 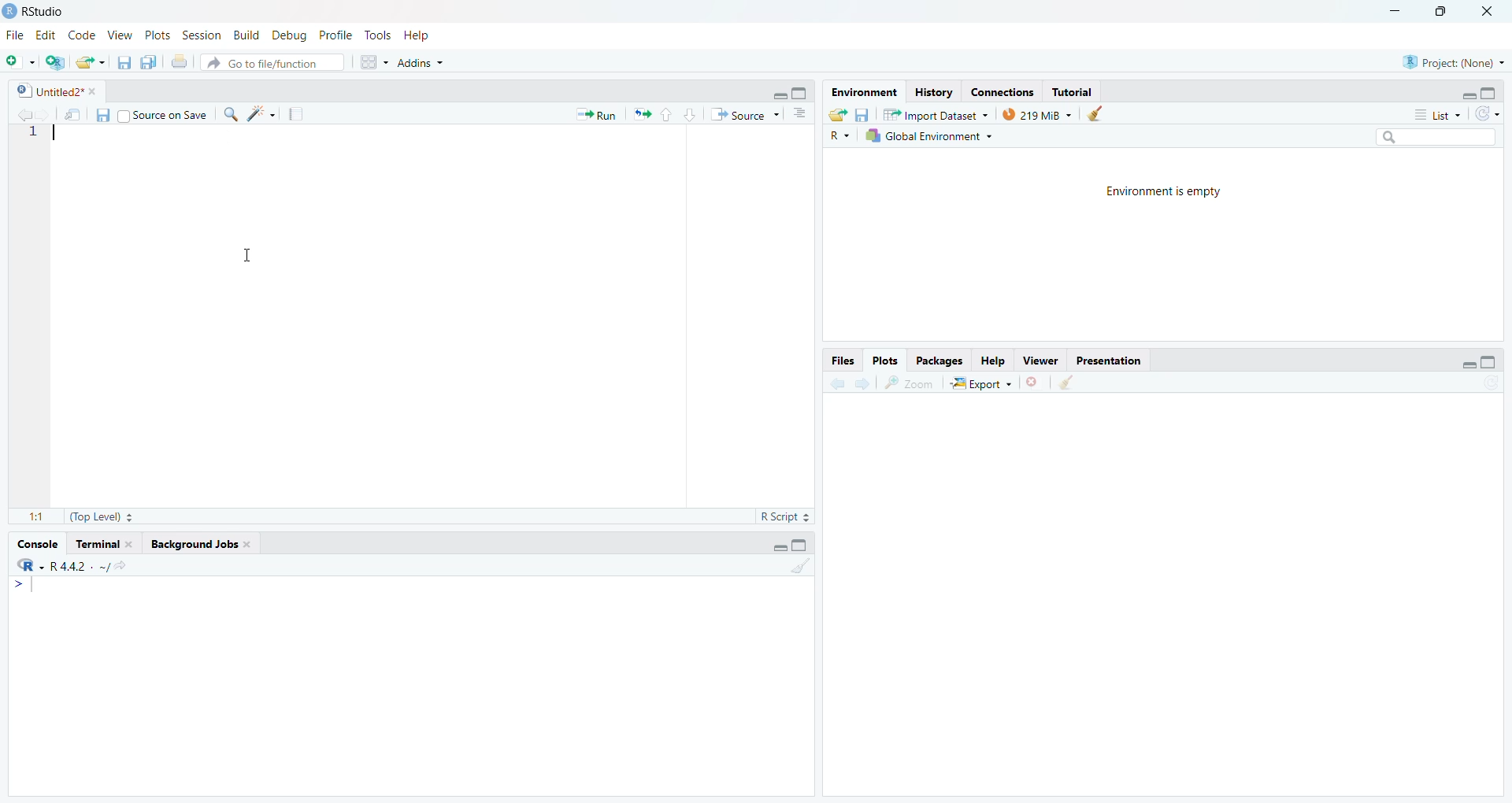 What do you see at coordinates (45, 116) in the screenshot?
I see `Go to next source location` at bounding box center [45, 116].